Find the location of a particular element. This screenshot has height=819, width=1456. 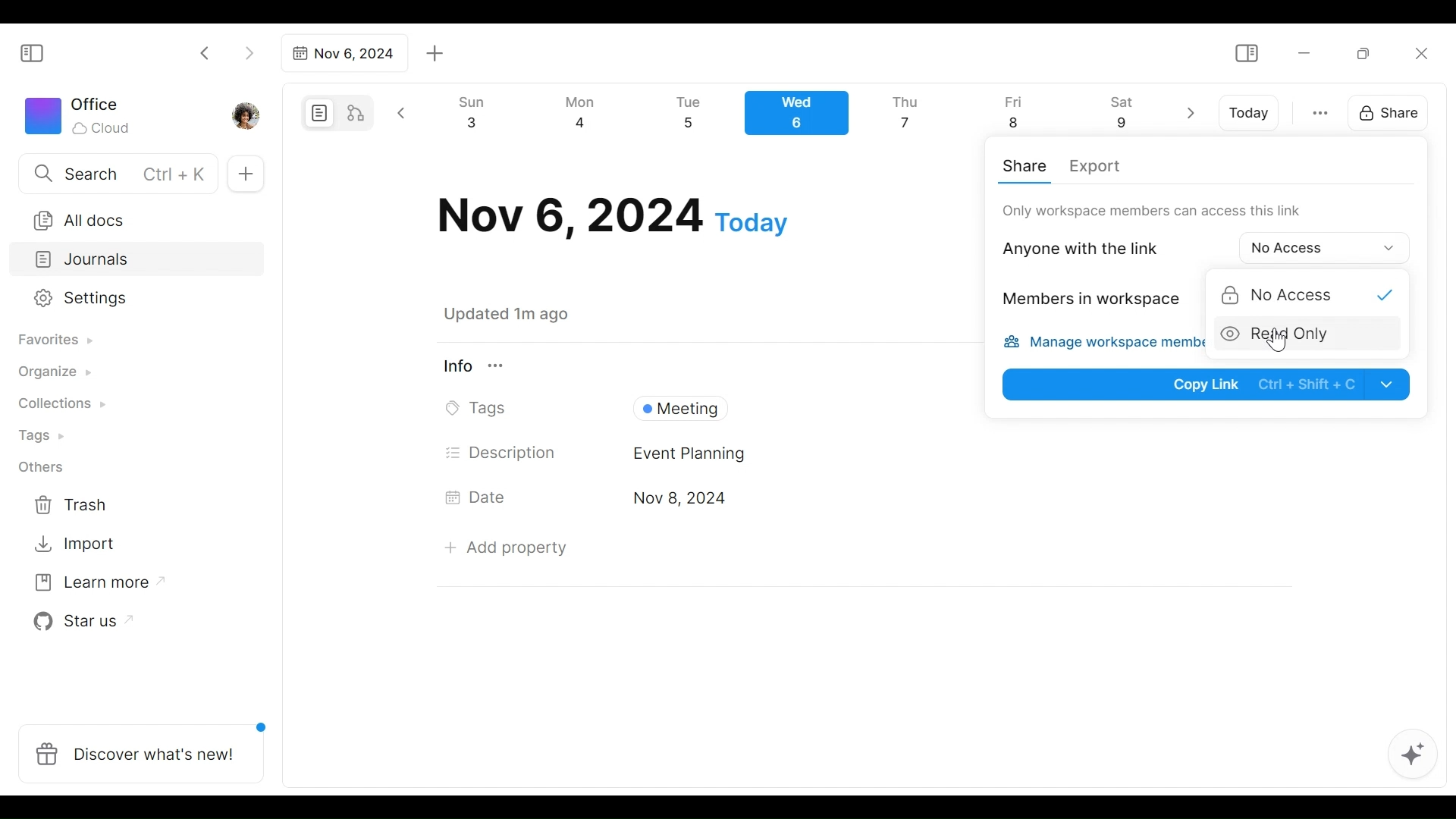

Trash is located at coordinates (72, 505).